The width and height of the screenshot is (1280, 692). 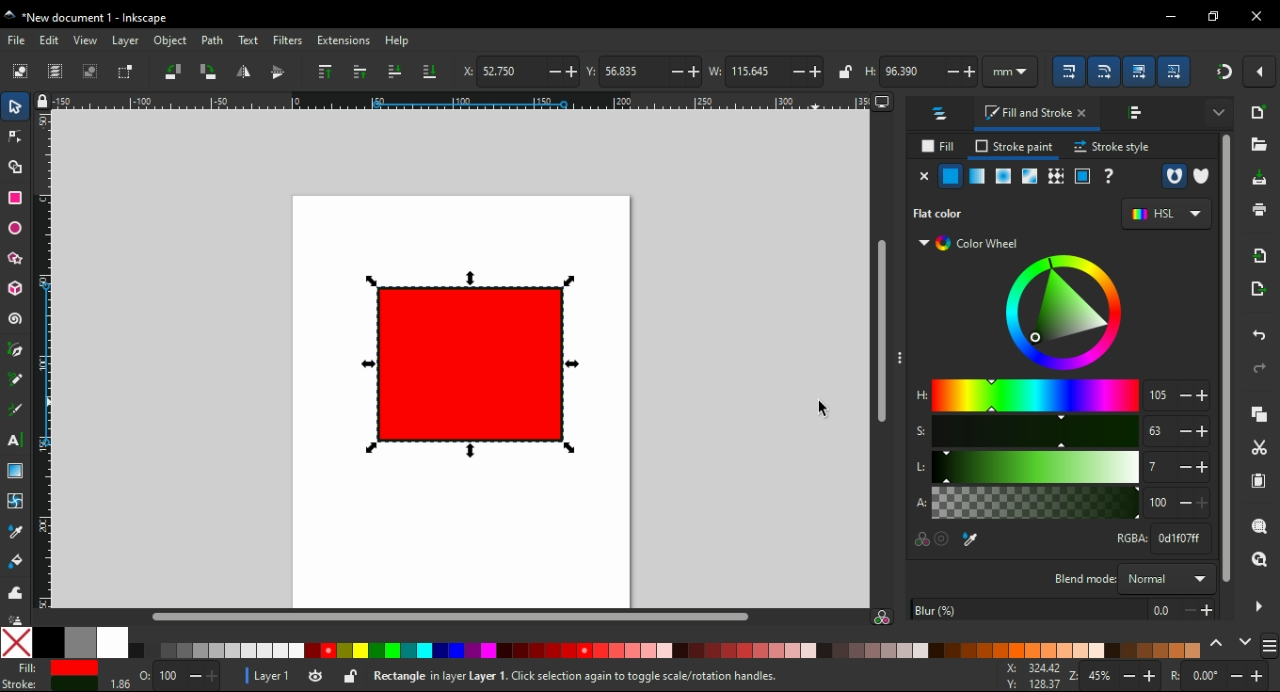 What do you see at coordinates (1258, 110) in the screenshot?
I see `new` at bounding box center [1258, 110].